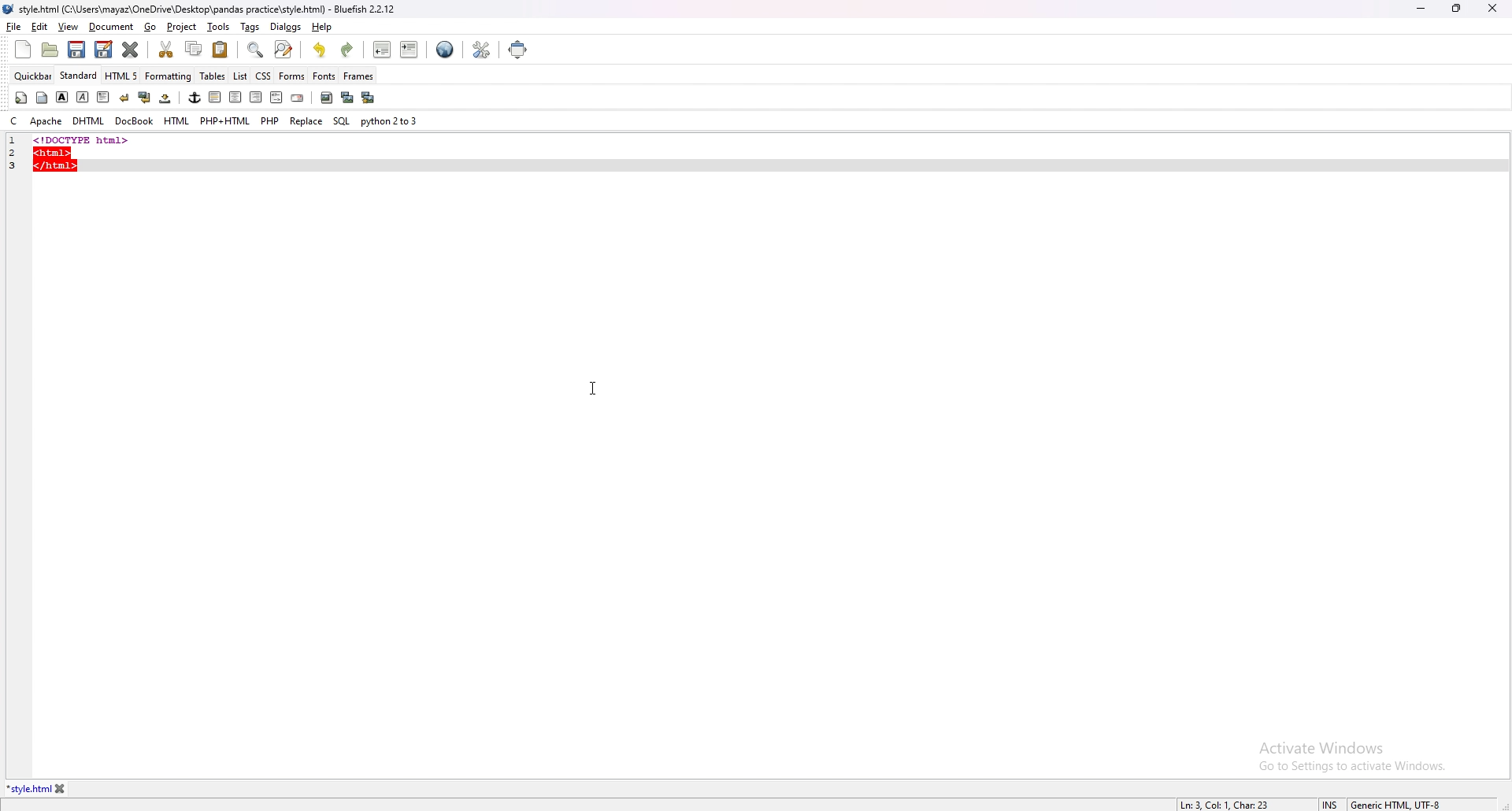 The width and height of the screenshot is (1512, 811). I want to click on php+html, so click(225, 121).